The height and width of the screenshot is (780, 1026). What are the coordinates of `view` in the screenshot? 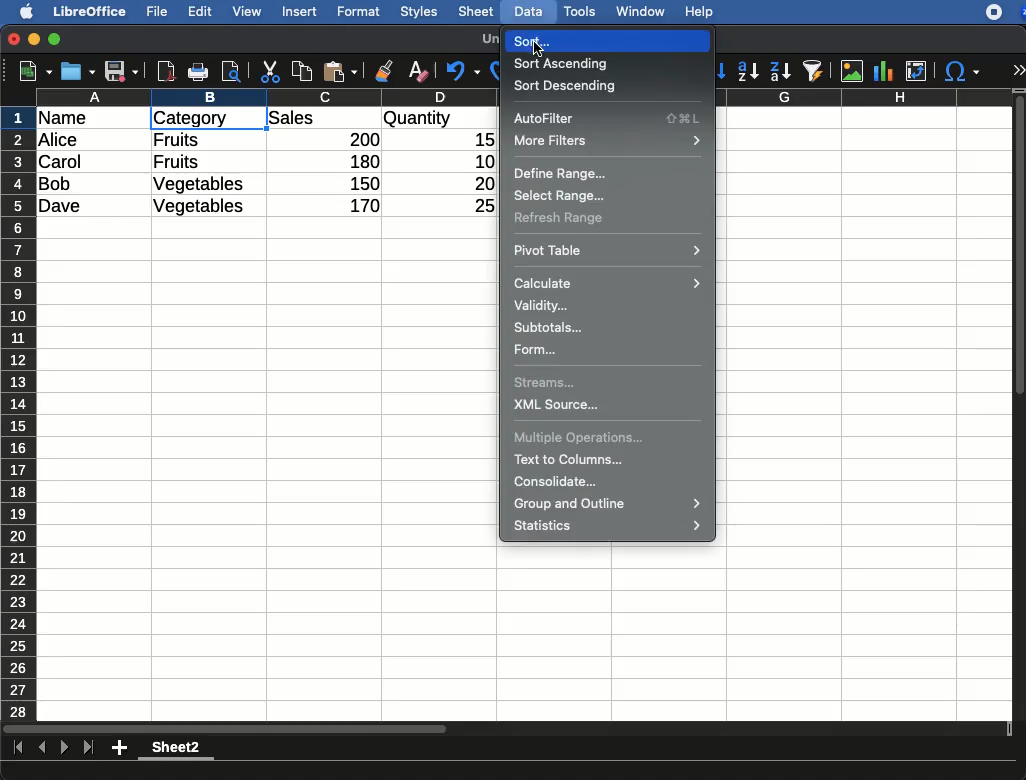 It's located at (247, 11).